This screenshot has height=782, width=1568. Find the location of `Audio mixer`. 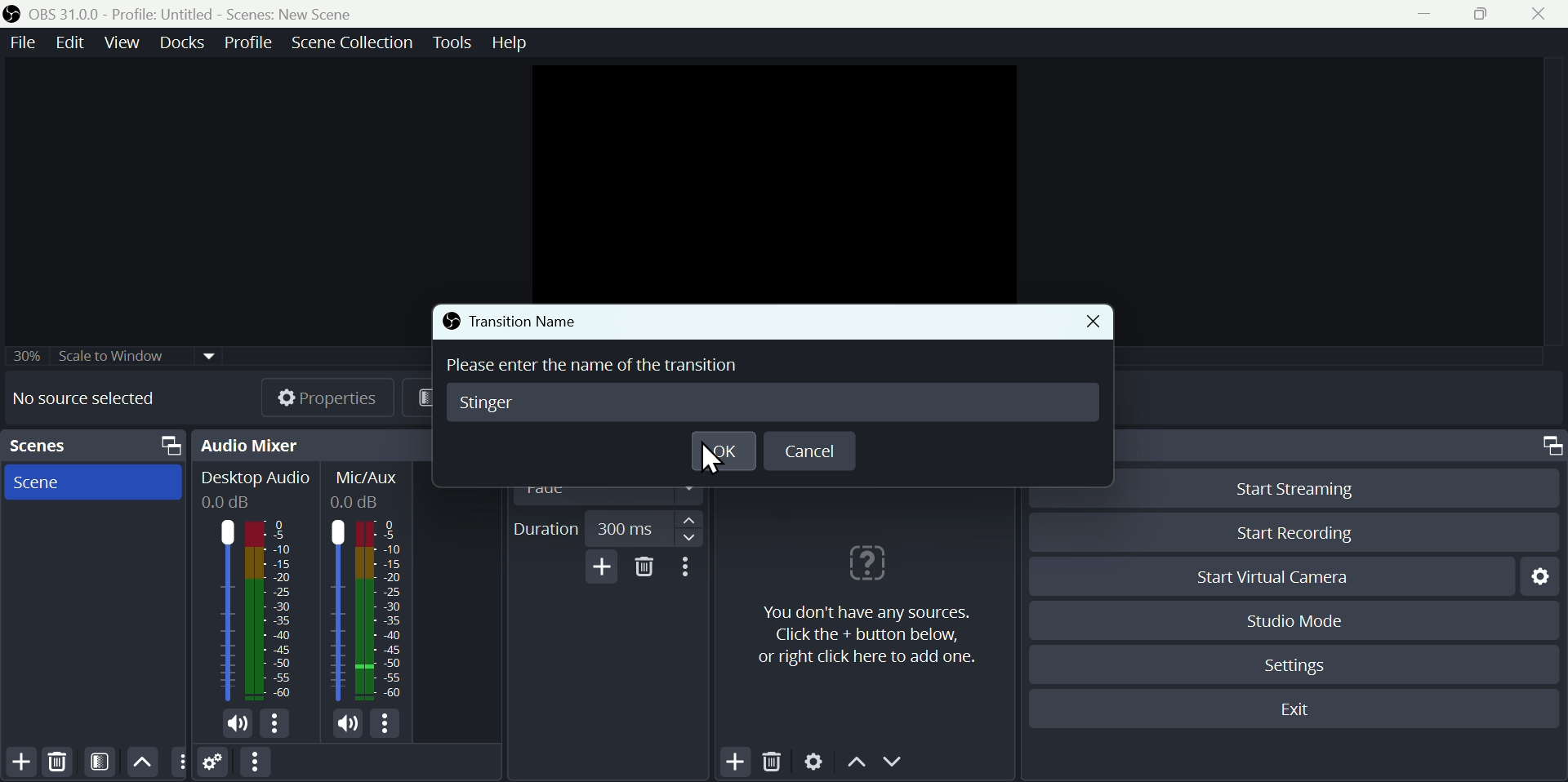

Audio mixer is located at coordinates (316, 444).